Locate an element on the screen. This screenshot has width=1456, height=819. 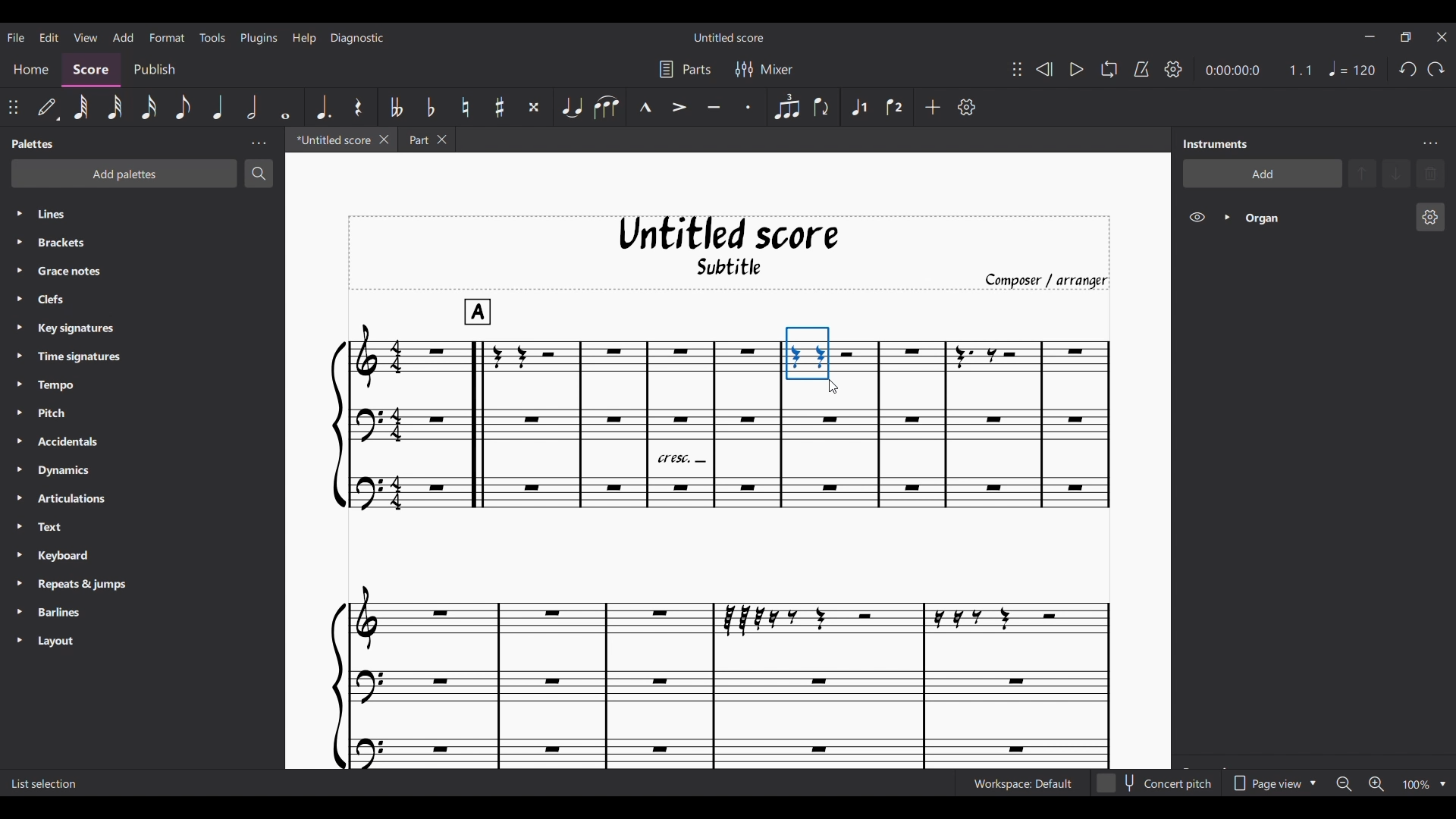
Toggle flat is located at coordinates (430, 107).